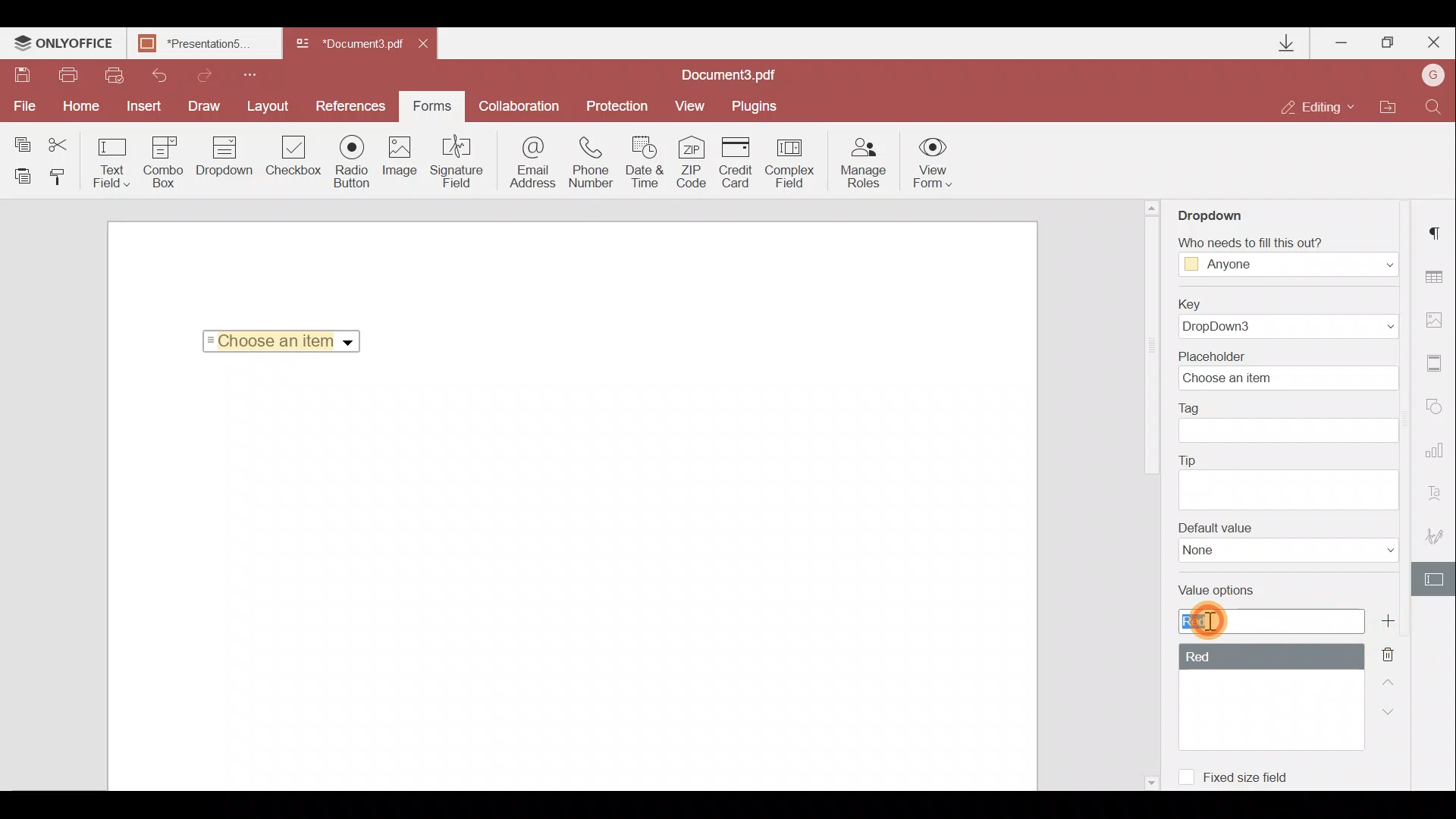 This screenshot has width=1456, height=819. What do you see at coordinates (931, 162) in the screenshot?
I see `View form` at bounding box center [931, 162].